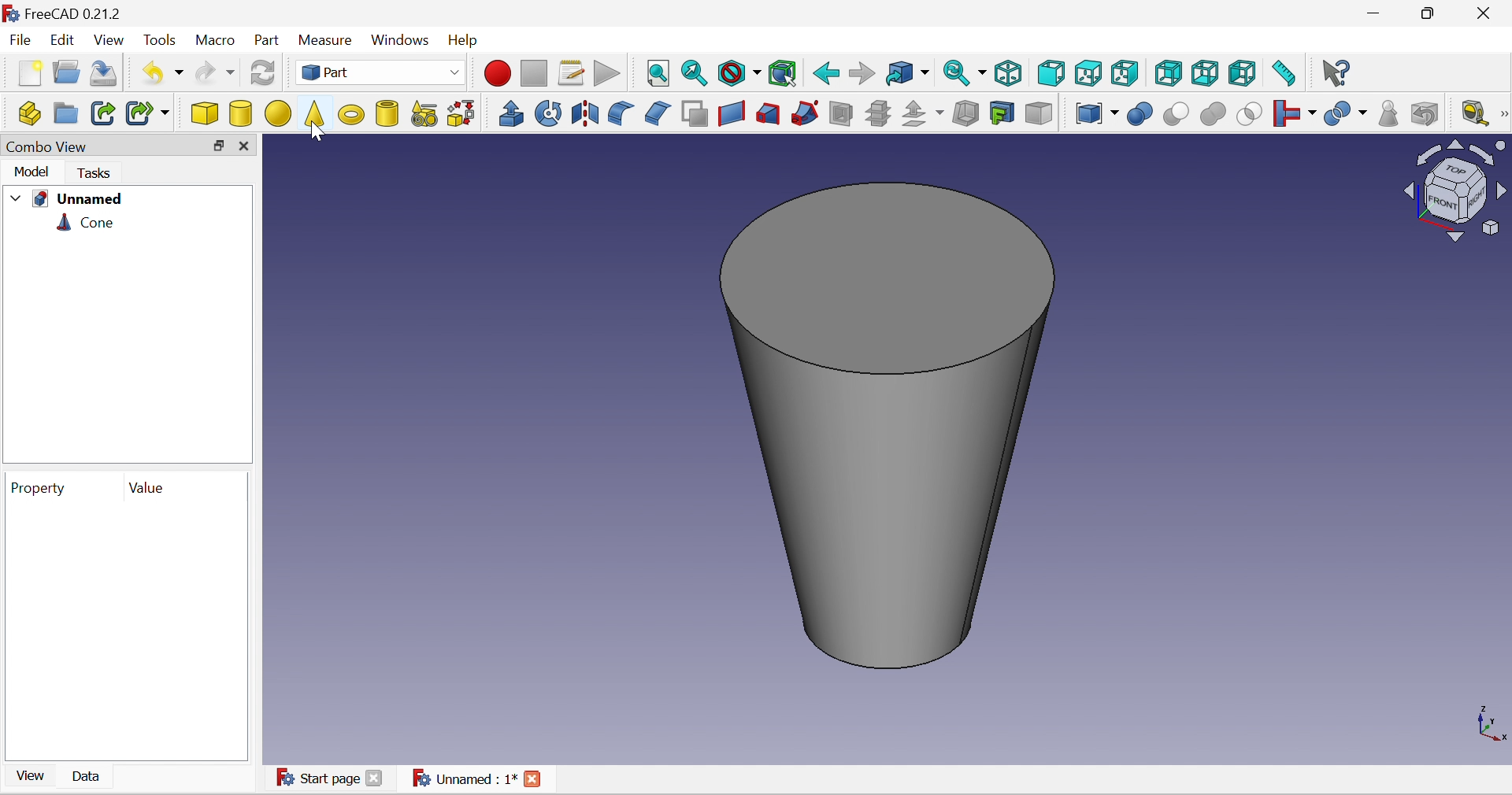 The image size is (1512, 795). I want to click on Macros, so click(572, 73).